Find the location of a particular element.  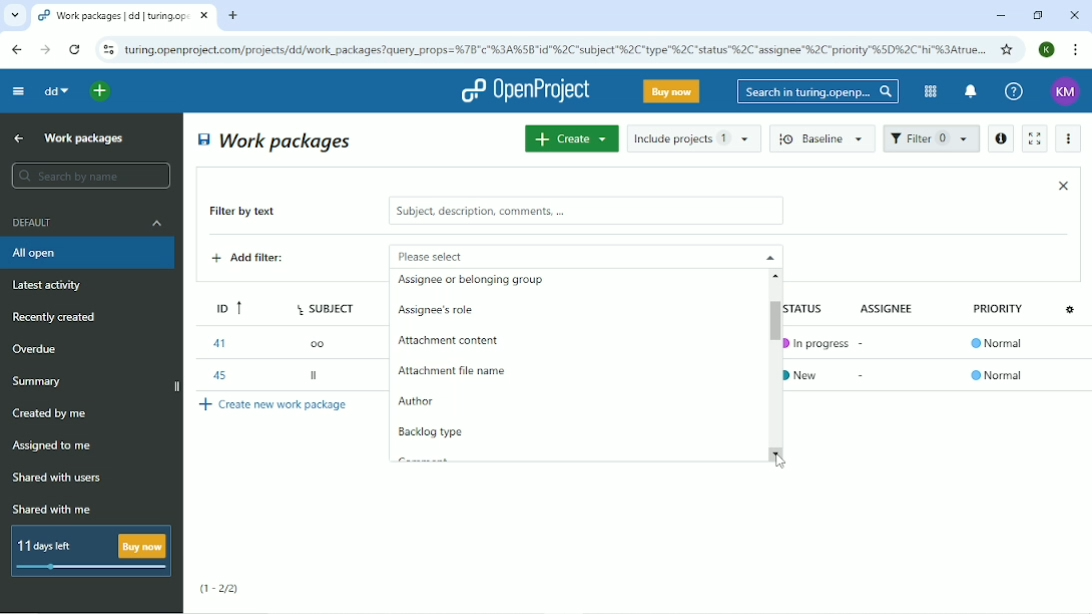

Activate zen mode is located at coordinates (1033, 138).